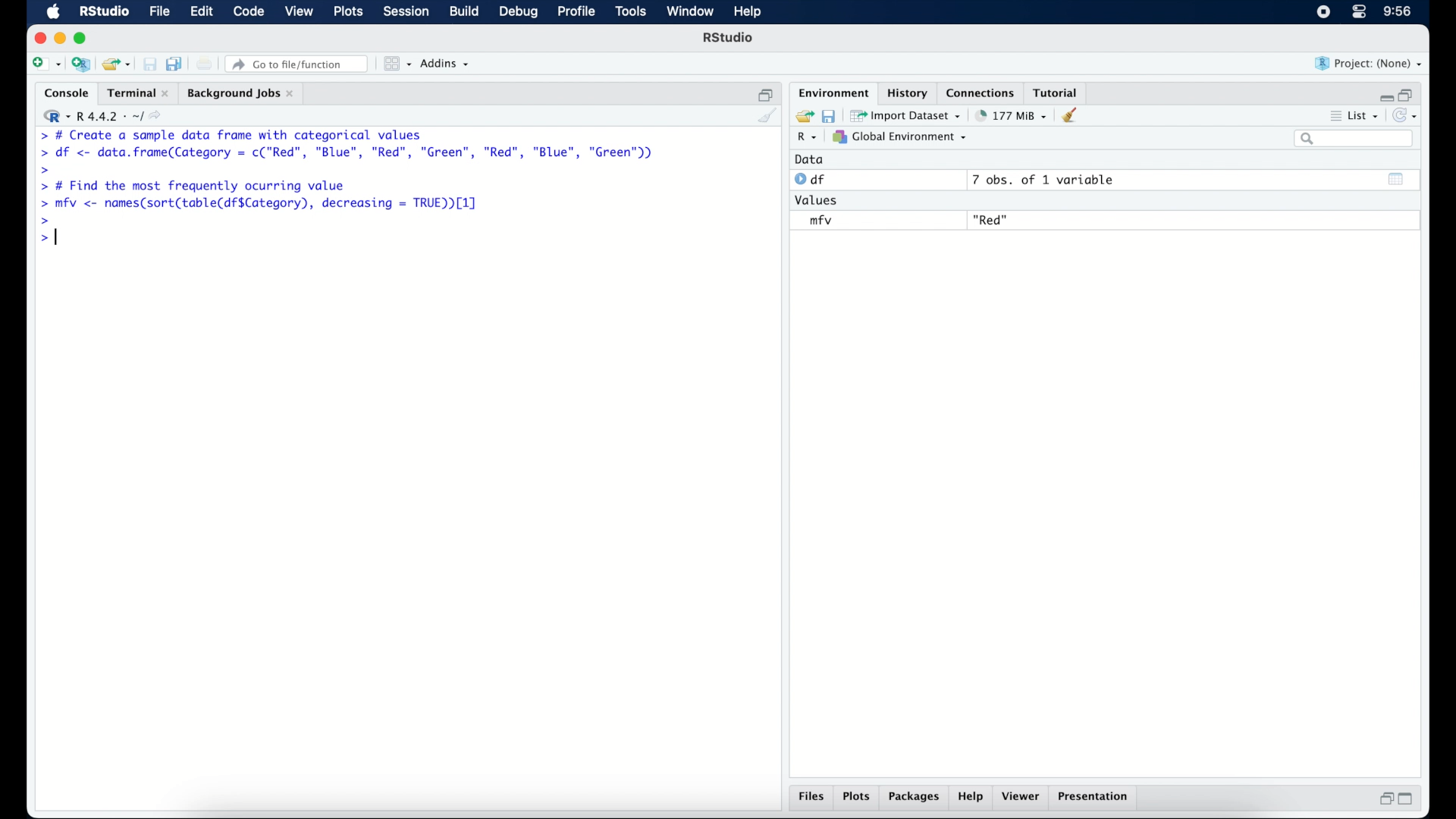 Image resolution: width=1456 pixels, height=819 pixels. Describe the element at coordinates (117, 64) in the screenshot. I see `open an existing project` at that location.